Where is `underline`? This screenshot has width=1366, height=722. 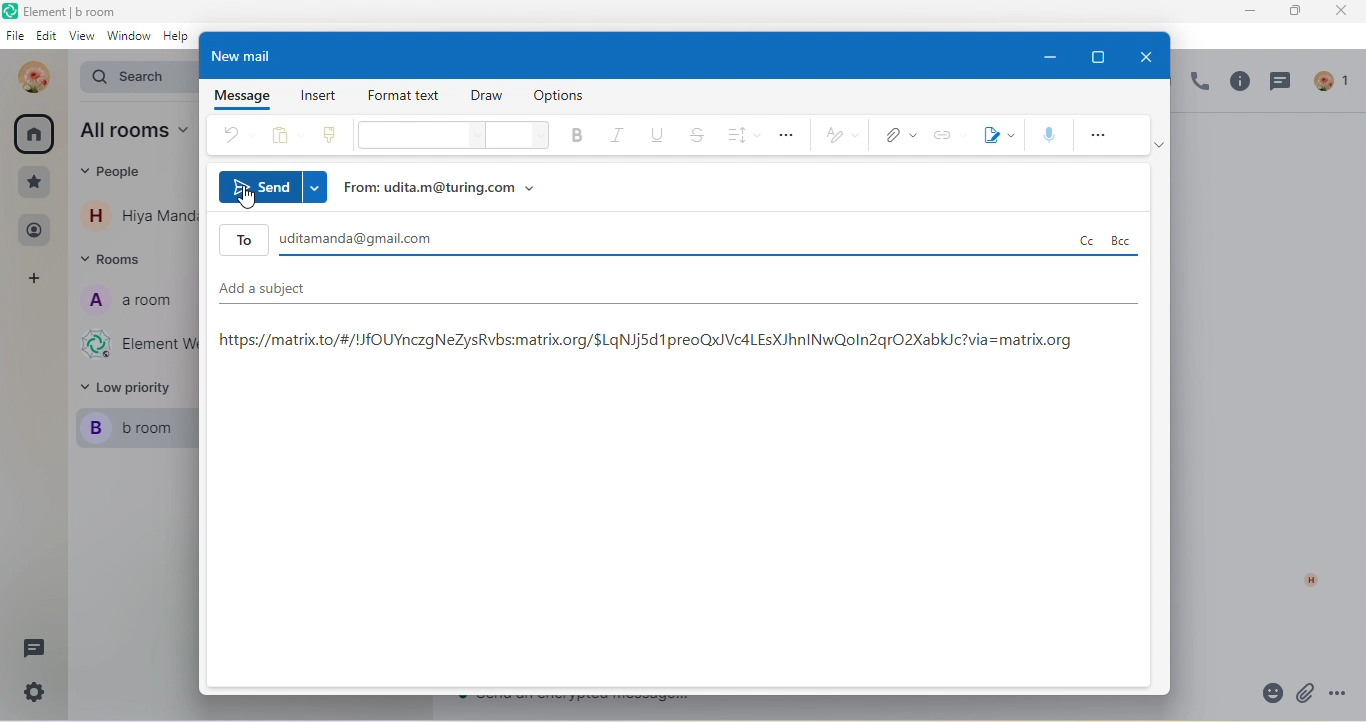 underline is located at coordinates (658, 138).